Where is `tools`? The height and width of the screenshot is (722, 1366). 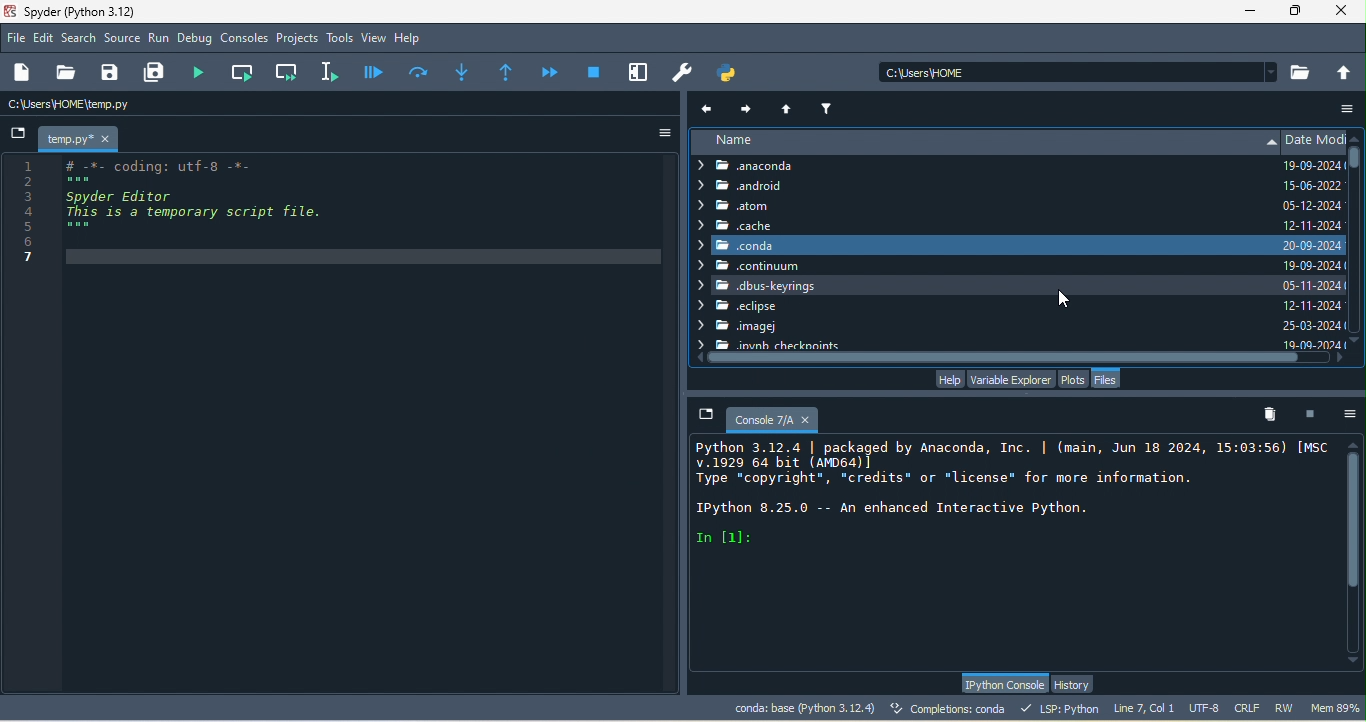
tools is located at coordinates (340, 39).